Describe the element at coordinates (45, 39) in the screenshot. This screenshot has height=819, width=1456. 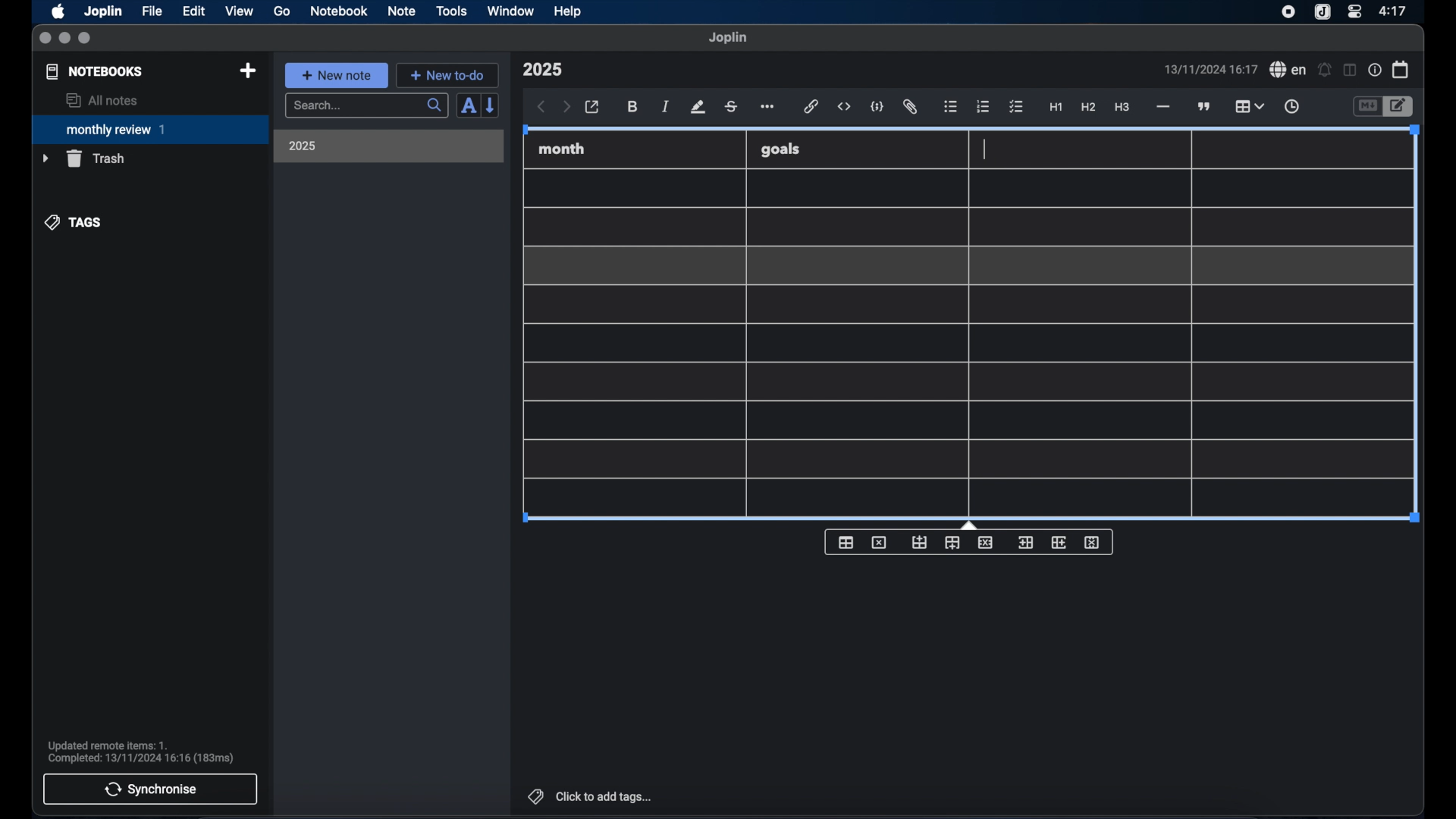
I see `close` at that location.